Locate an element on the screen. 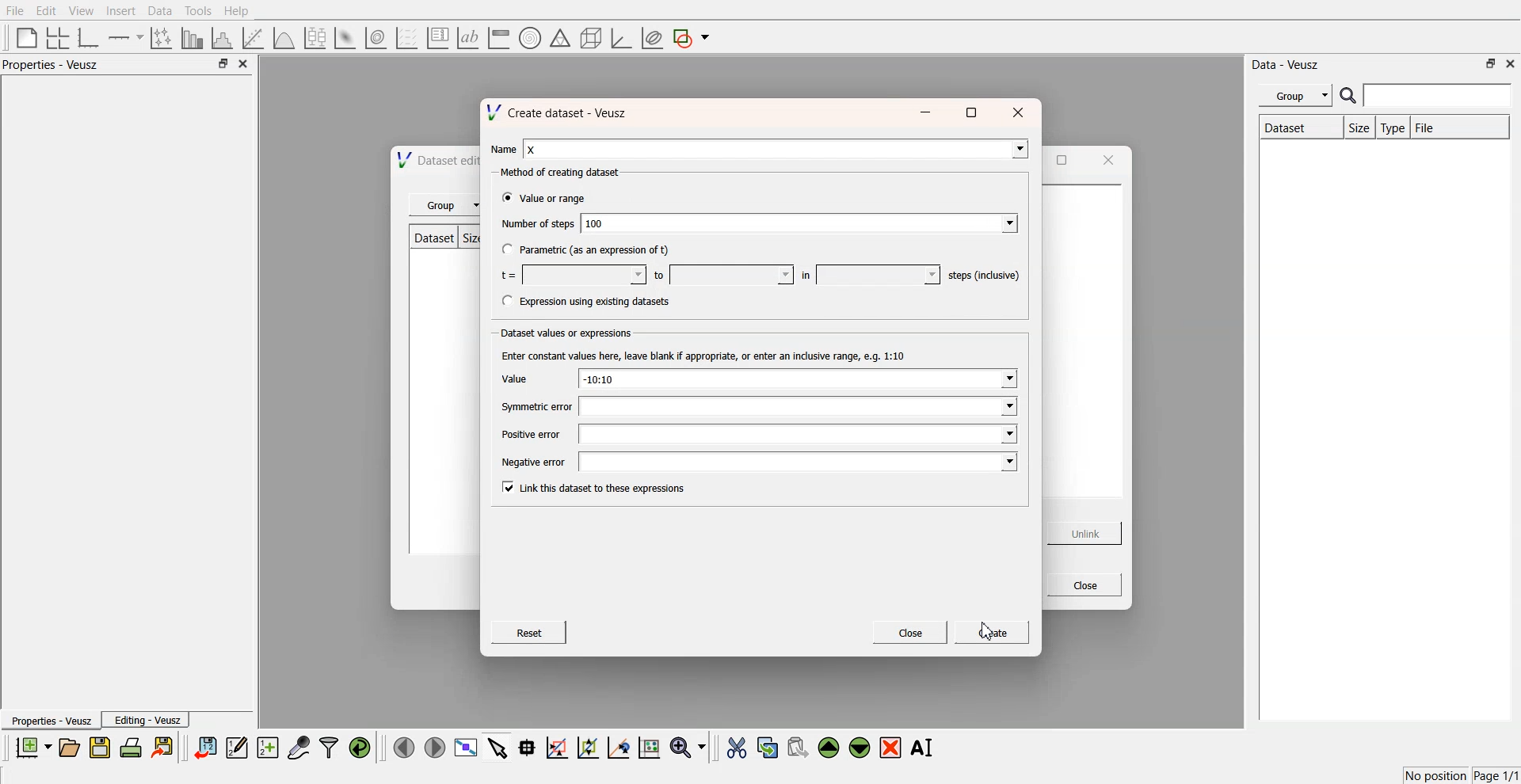 The width and height of the screenshot is (1521, 784). Editing - Veusz is located at coordinates (147, 720).